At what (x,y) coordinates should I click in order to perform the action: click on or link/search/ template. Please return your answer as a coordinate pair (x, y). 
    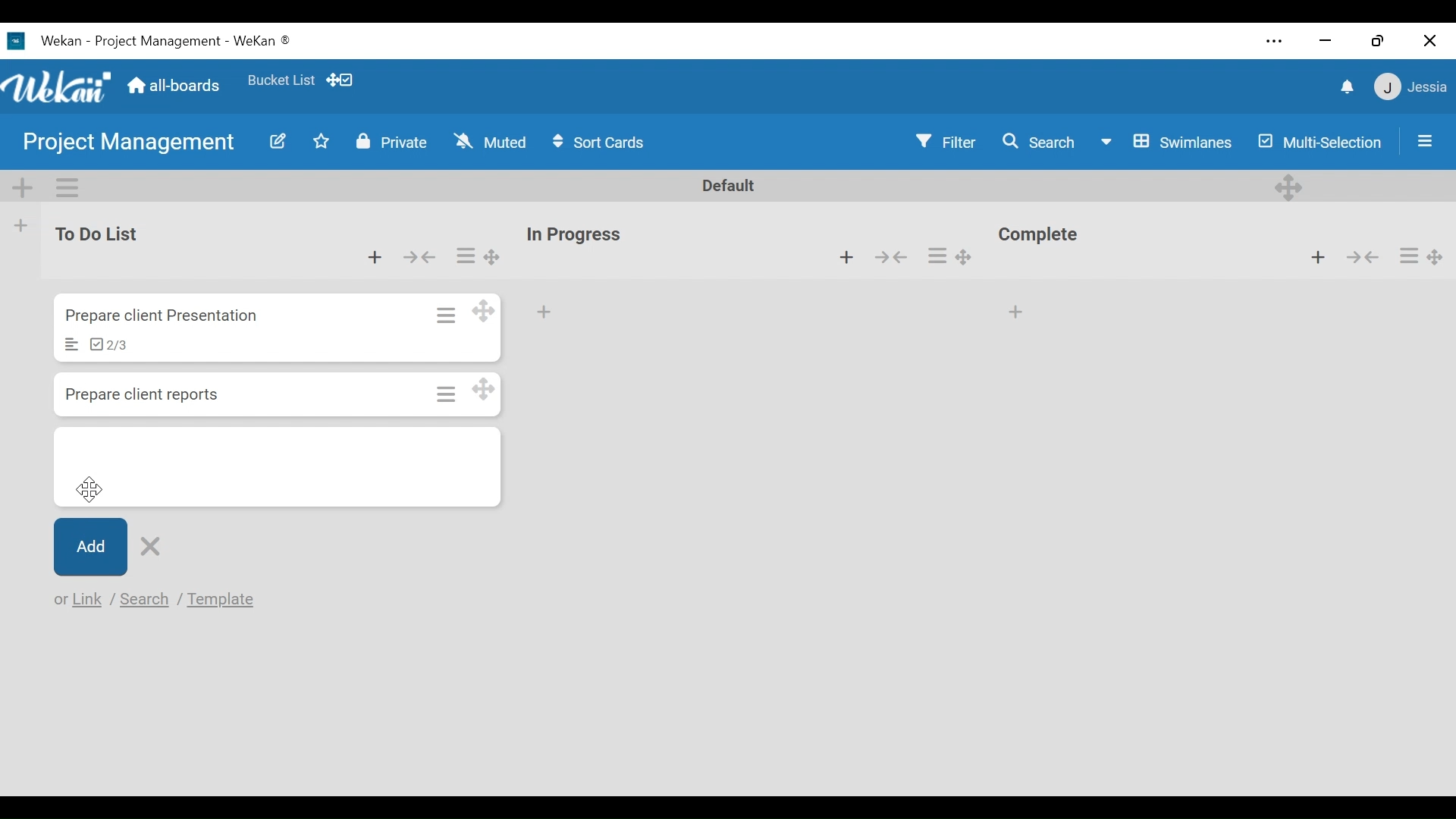
    Looking at the image, I should click on (157, 600).